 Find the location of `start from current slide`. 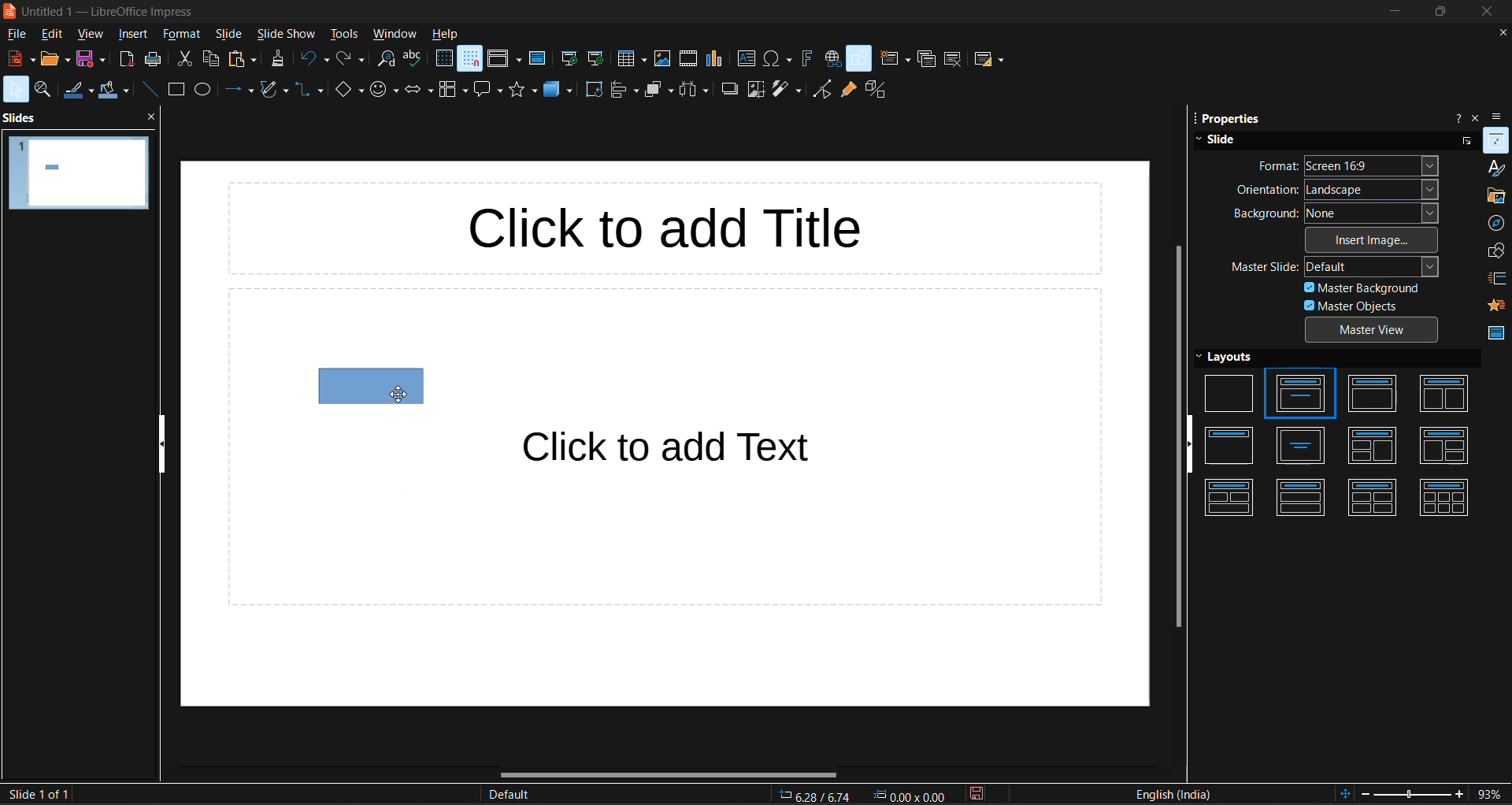

start from current slide is located at coordinates (598, 61).